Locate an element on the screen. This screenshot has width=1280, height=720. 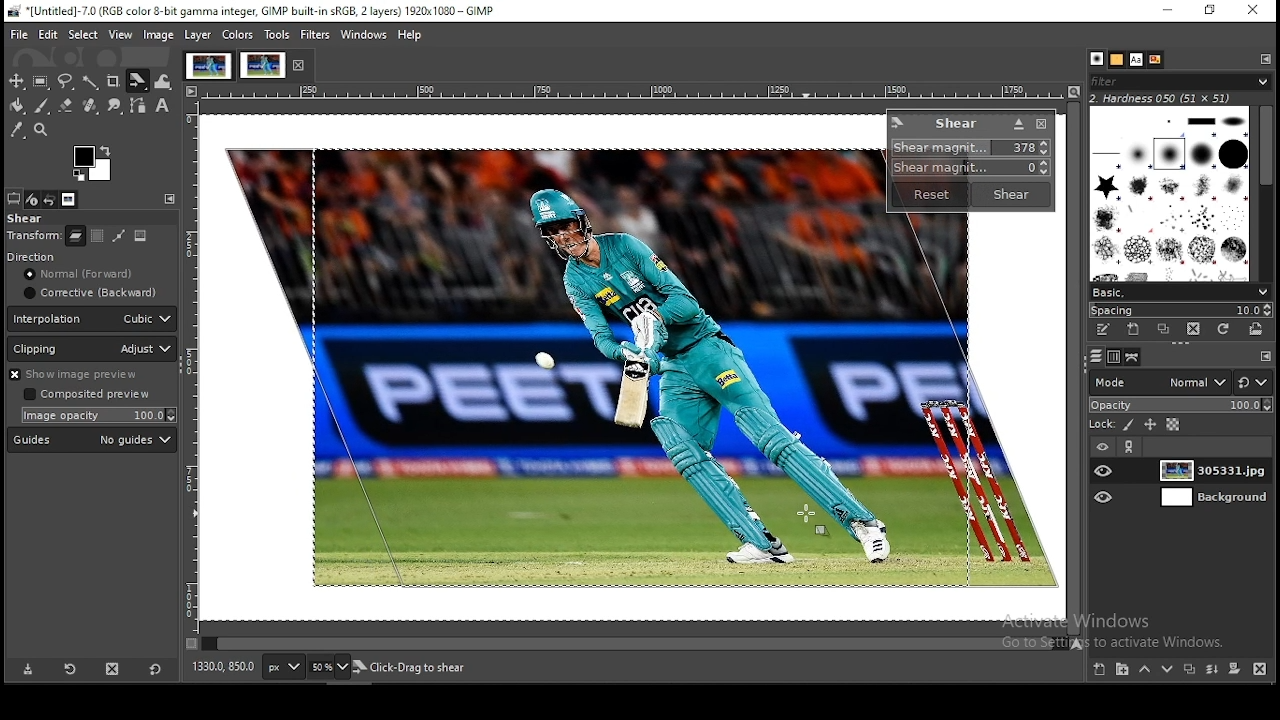
delete this brush is located at coordinates (1193, 329).